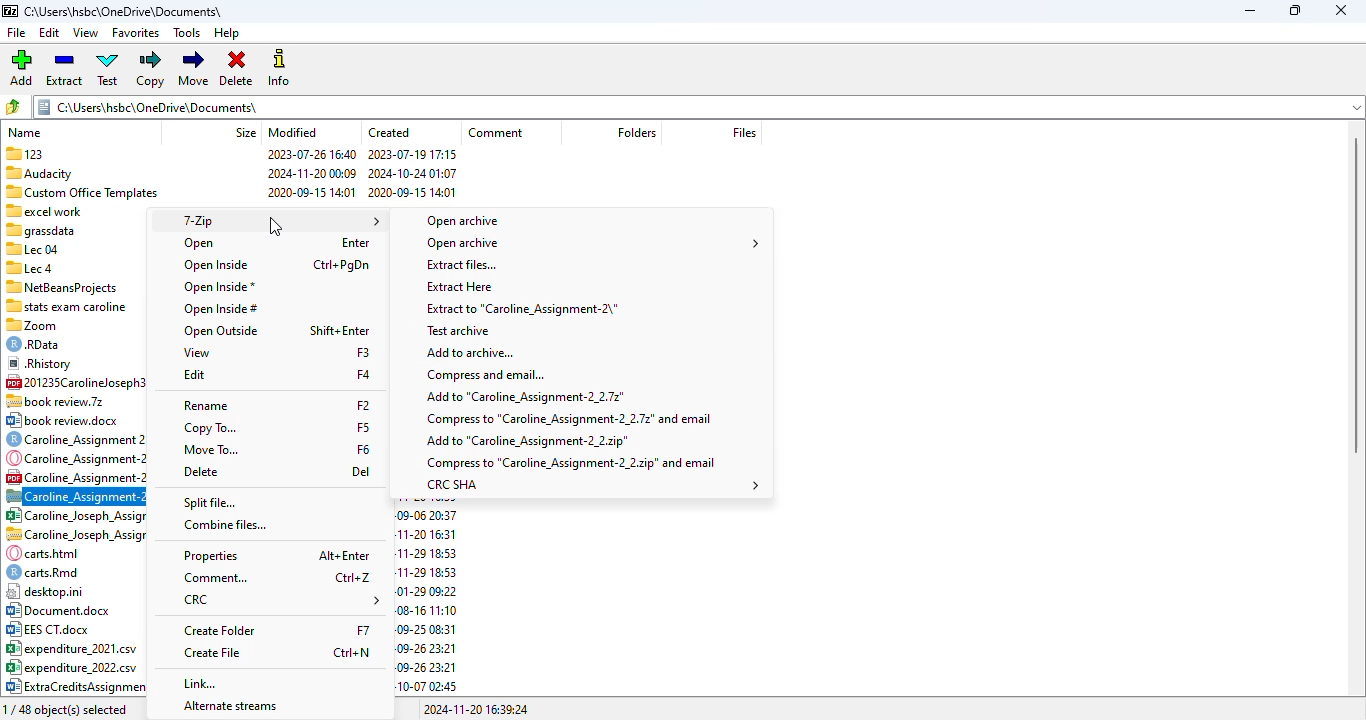 The image size is (1366, 720). I want to click on test archive, so click(460, 330).